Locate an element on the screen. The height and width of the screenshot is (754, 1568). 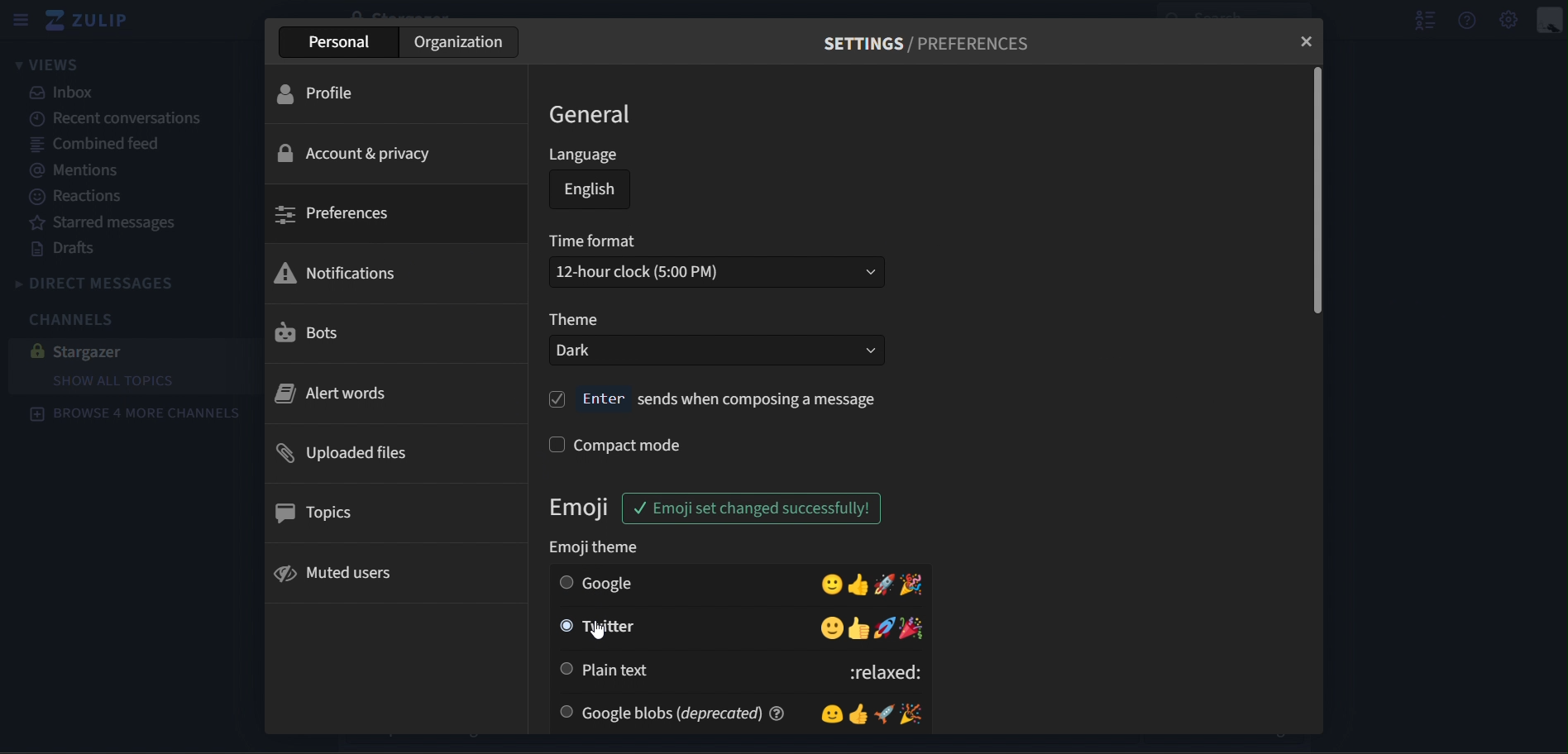
emoji set changed successfully is located at coordinates (761, 509).